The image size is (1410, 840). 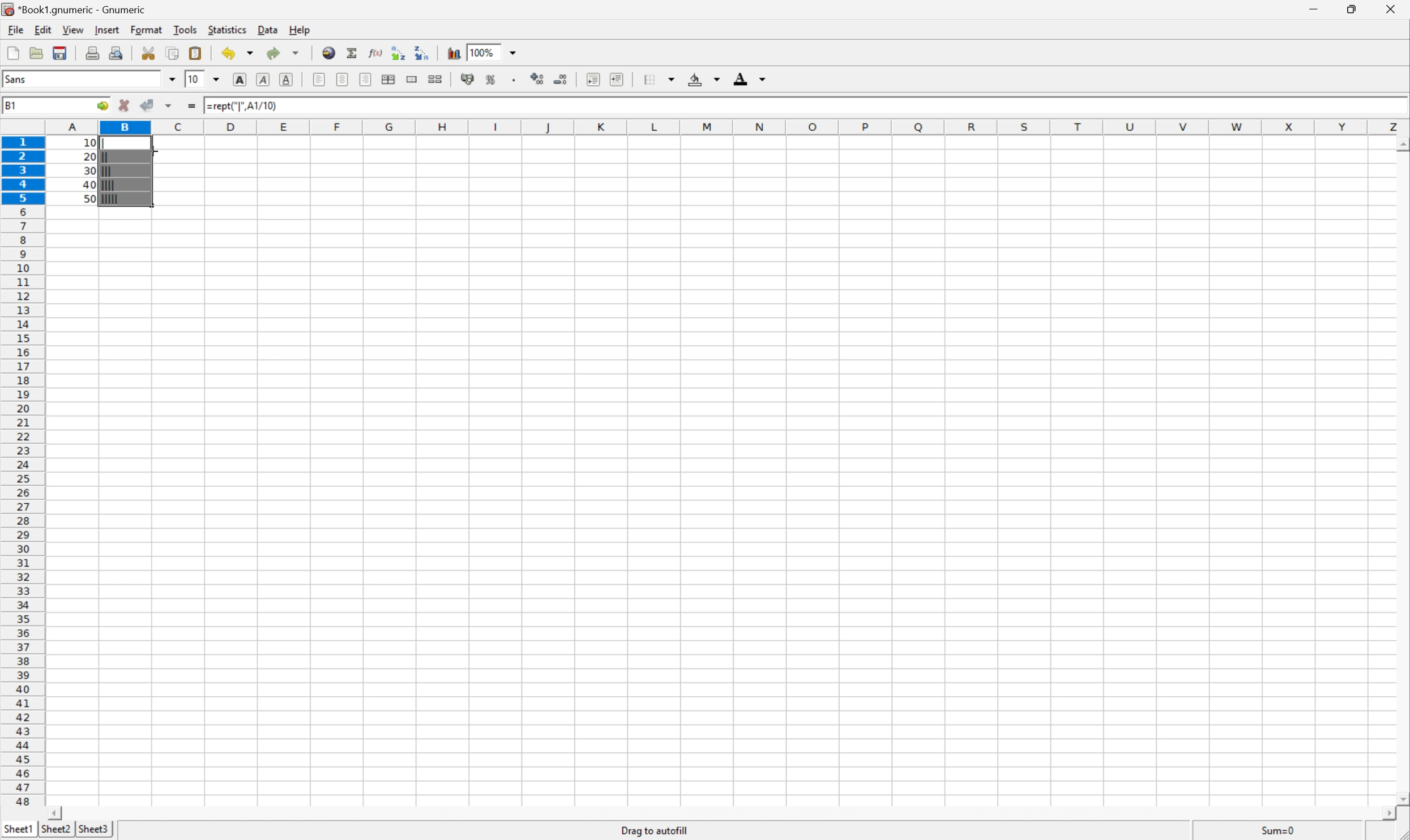 What do you see at coordinates (422, 52) in the screenshot?
I see `Sort the selected region in descending order based on the first column selected` at bounding box center [422, 52].